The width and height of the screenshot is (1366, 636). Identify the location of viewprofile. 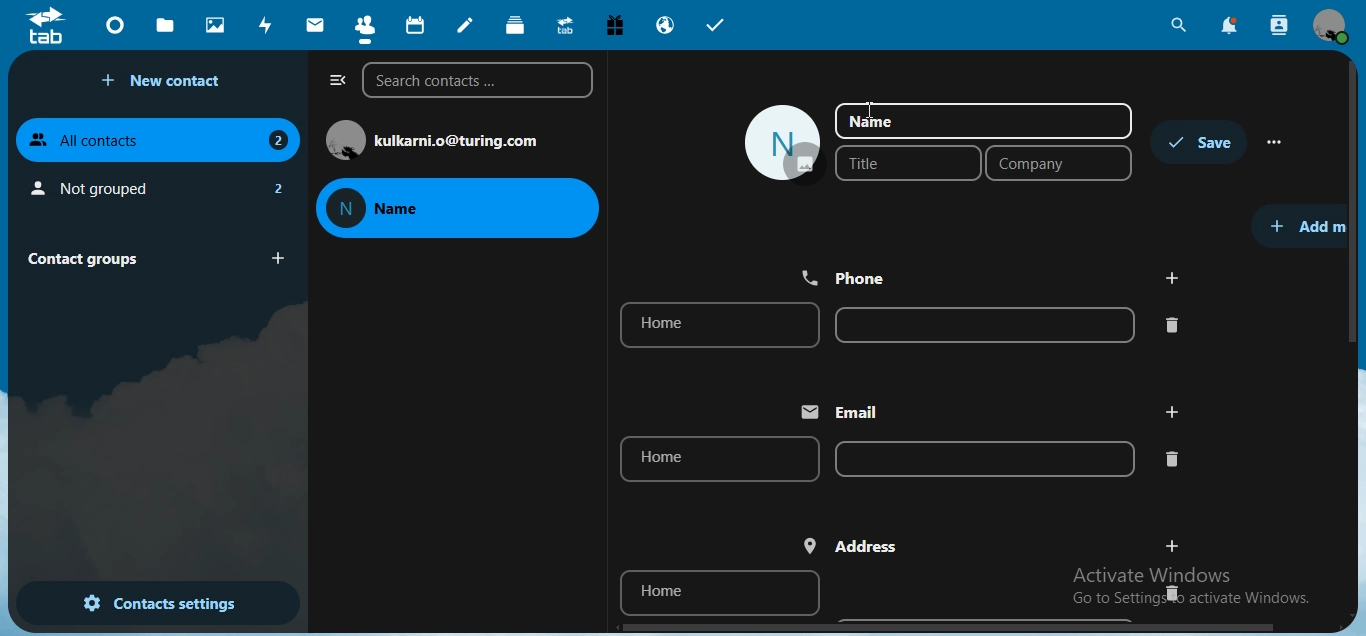
(1333, 27).